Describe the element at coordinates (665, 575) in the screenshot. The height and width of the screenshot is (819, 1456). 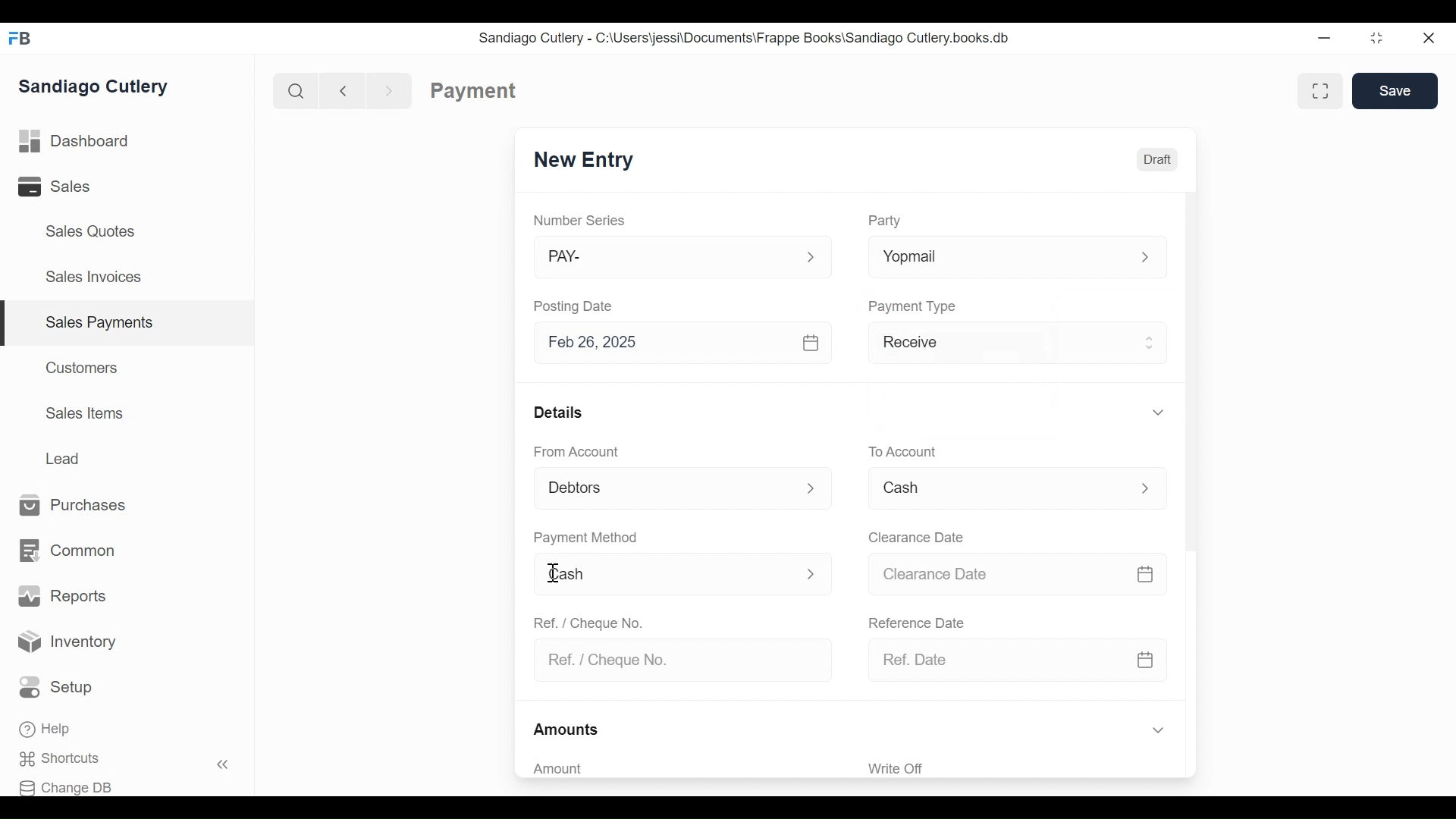
I see `Cash` at that location.